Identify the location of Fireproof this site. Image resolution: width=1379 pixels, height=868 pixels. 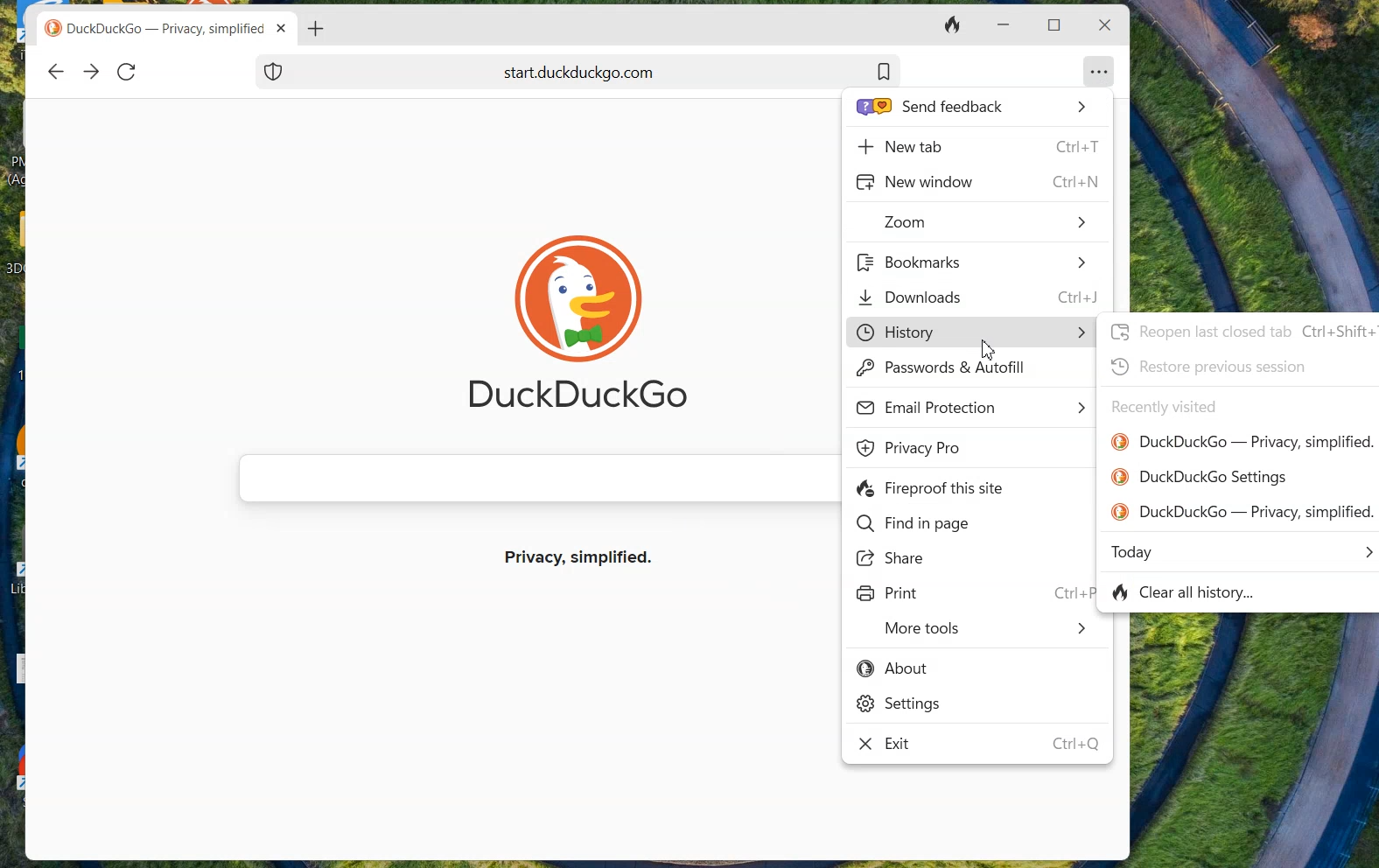
(934, 489).